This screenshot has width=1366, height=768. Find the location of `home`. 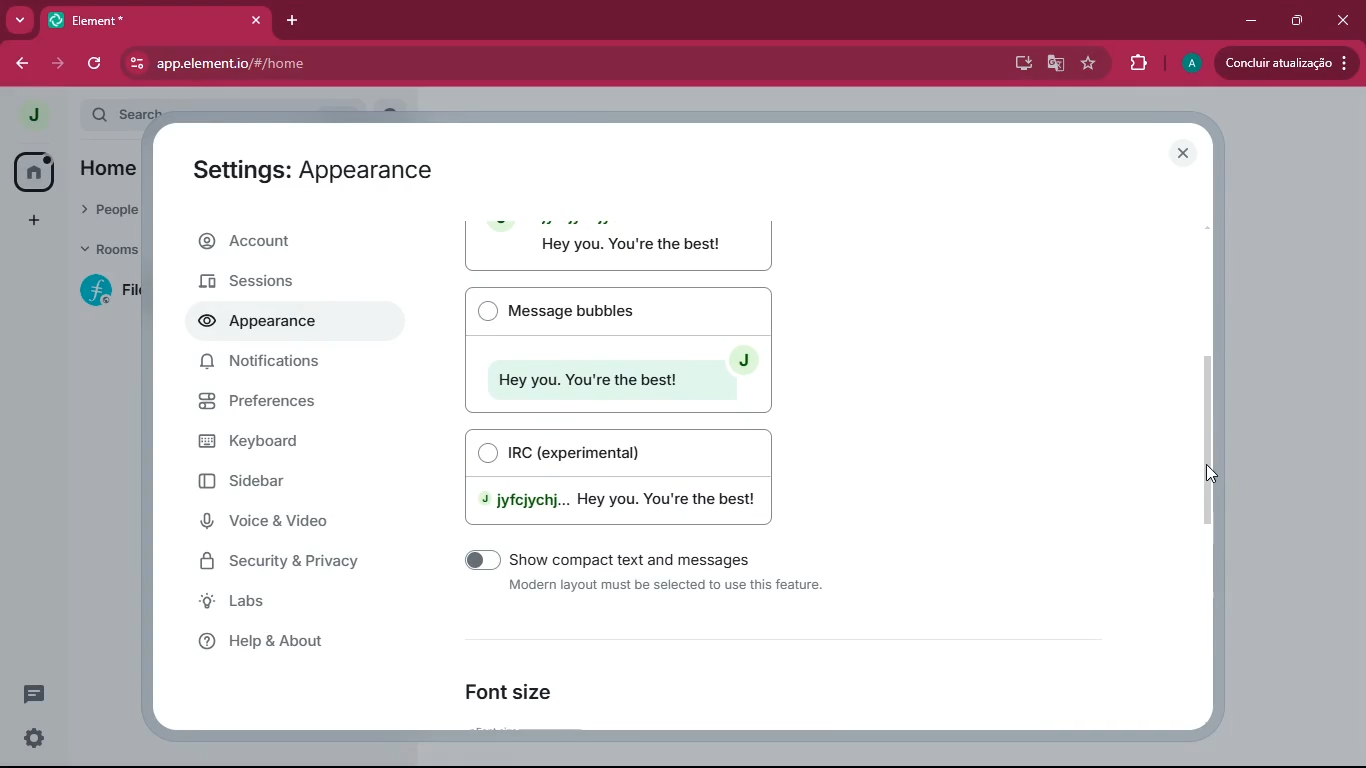

home is located at coordinates (34, 171).